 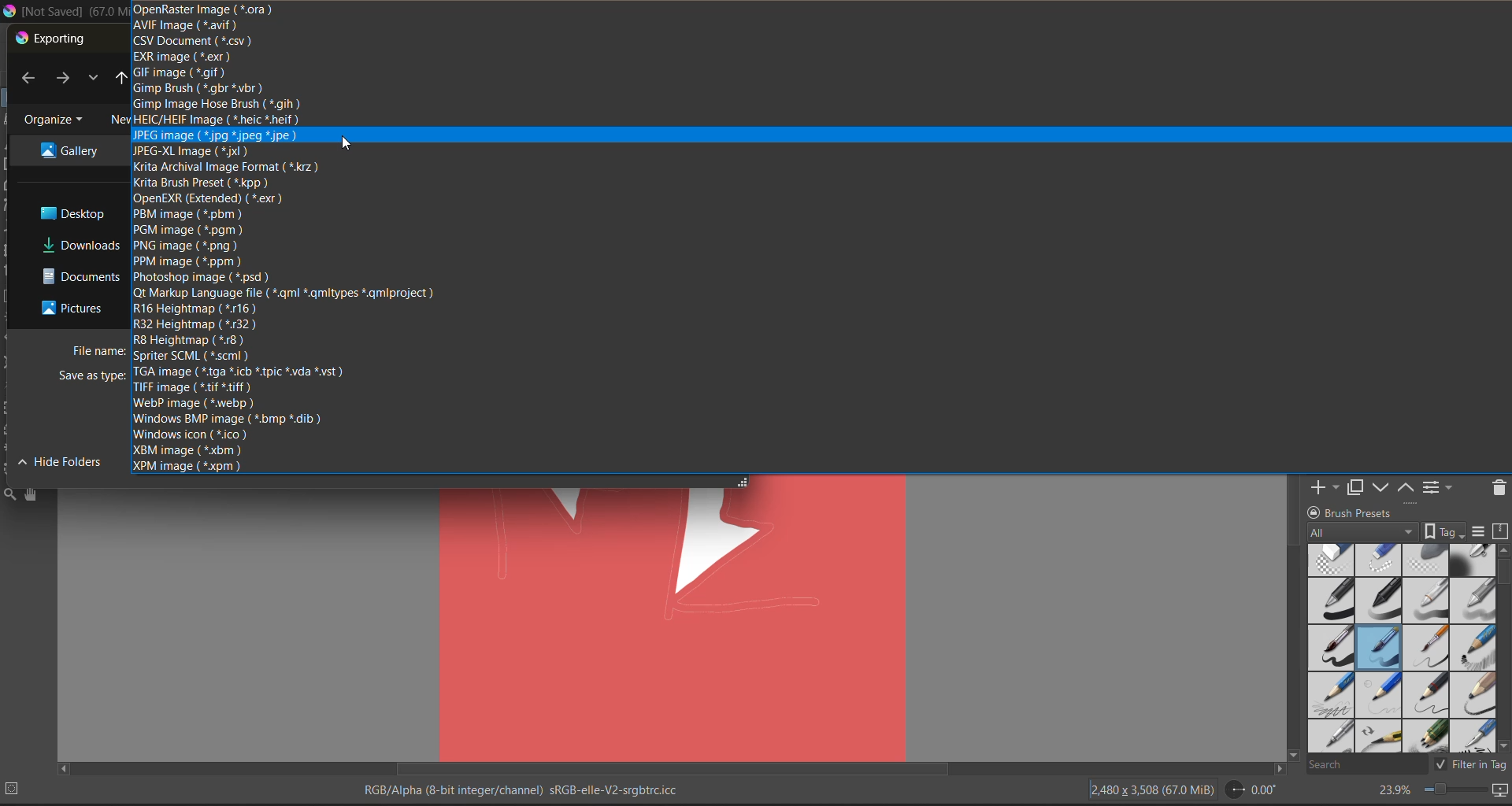 What do you see at coordinates (1503, 574) in the screenshot?
I see `horizontal scroll bar` at bounding box center [1503, 574].